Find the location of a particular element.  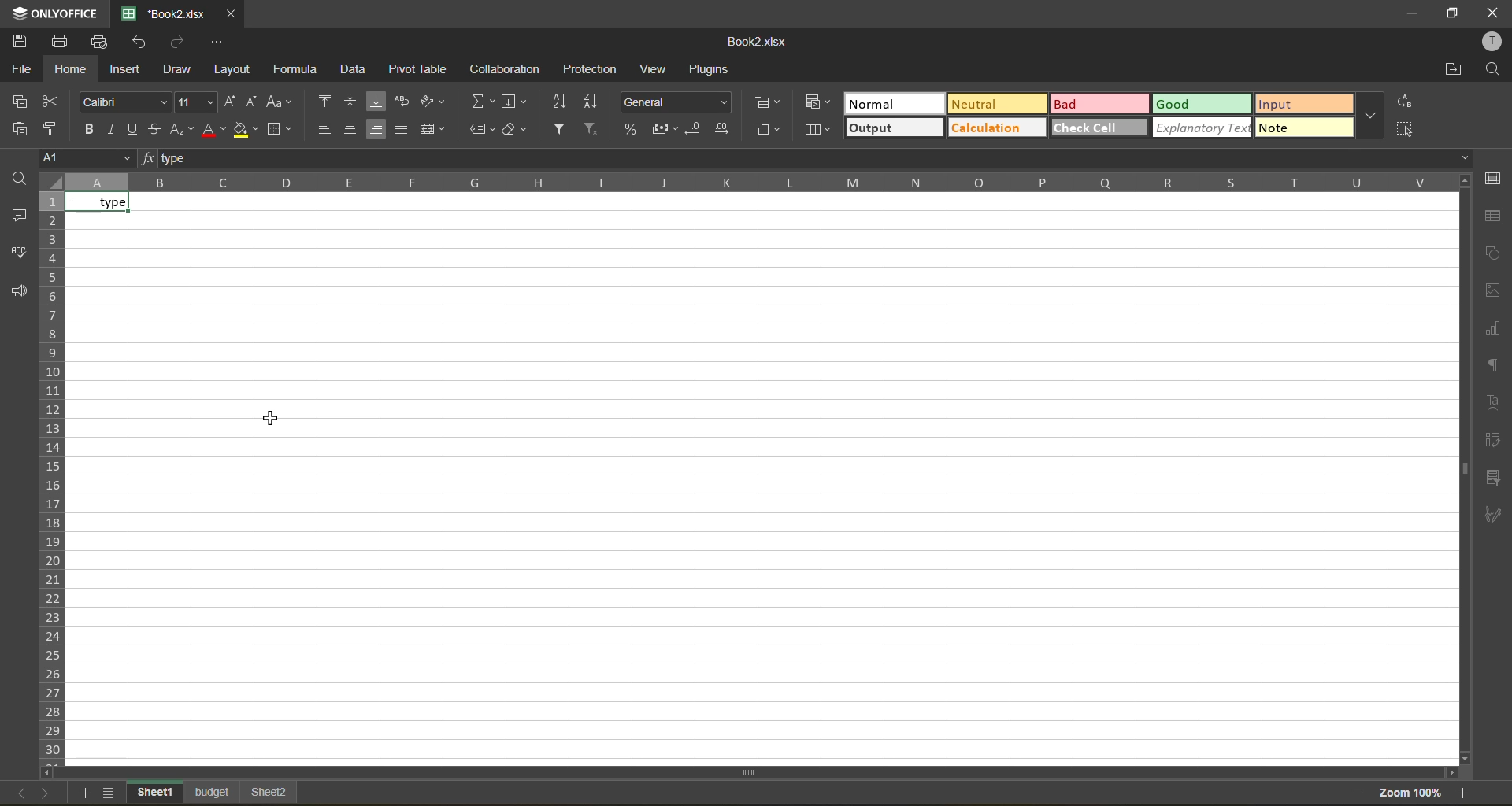

increment size is located at coordinates (232, 100).